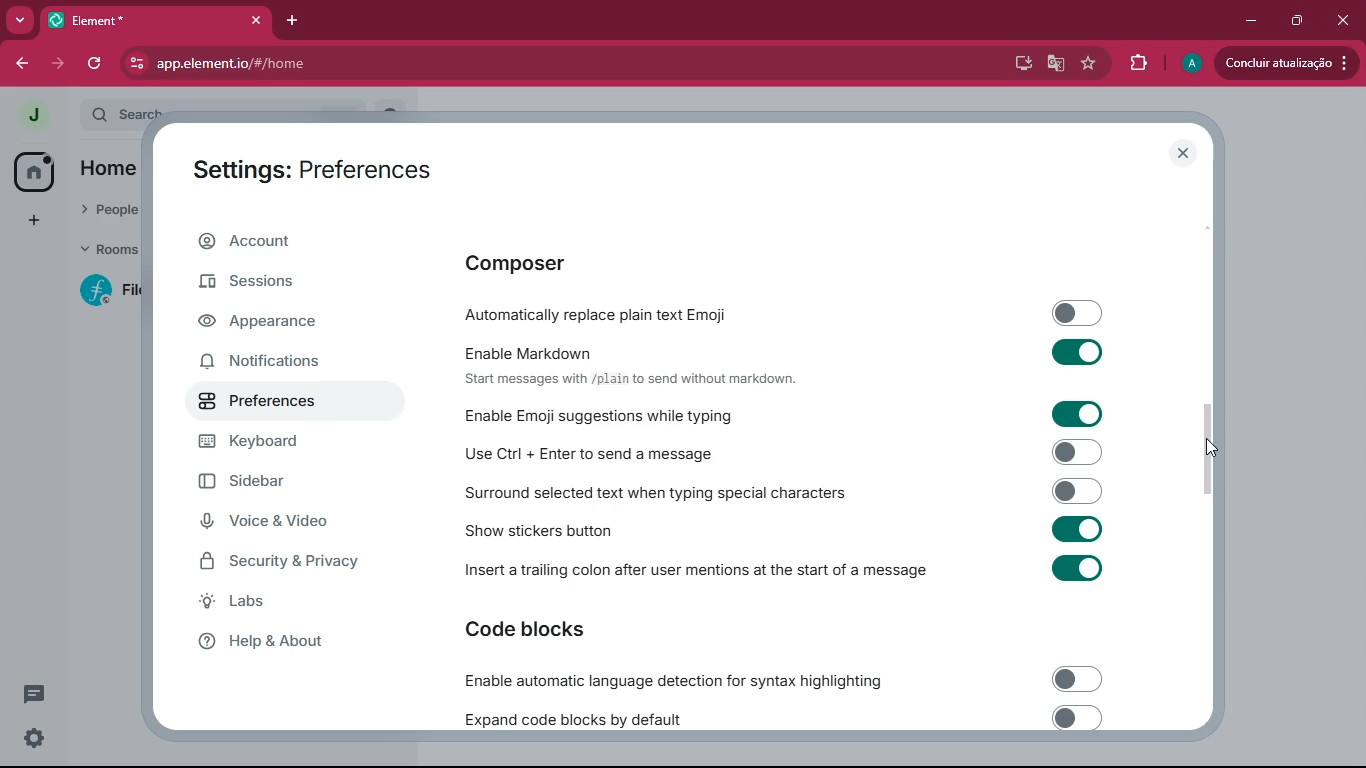 The image size is (1366, 768). I want to click on profile, so click(1187, 63).